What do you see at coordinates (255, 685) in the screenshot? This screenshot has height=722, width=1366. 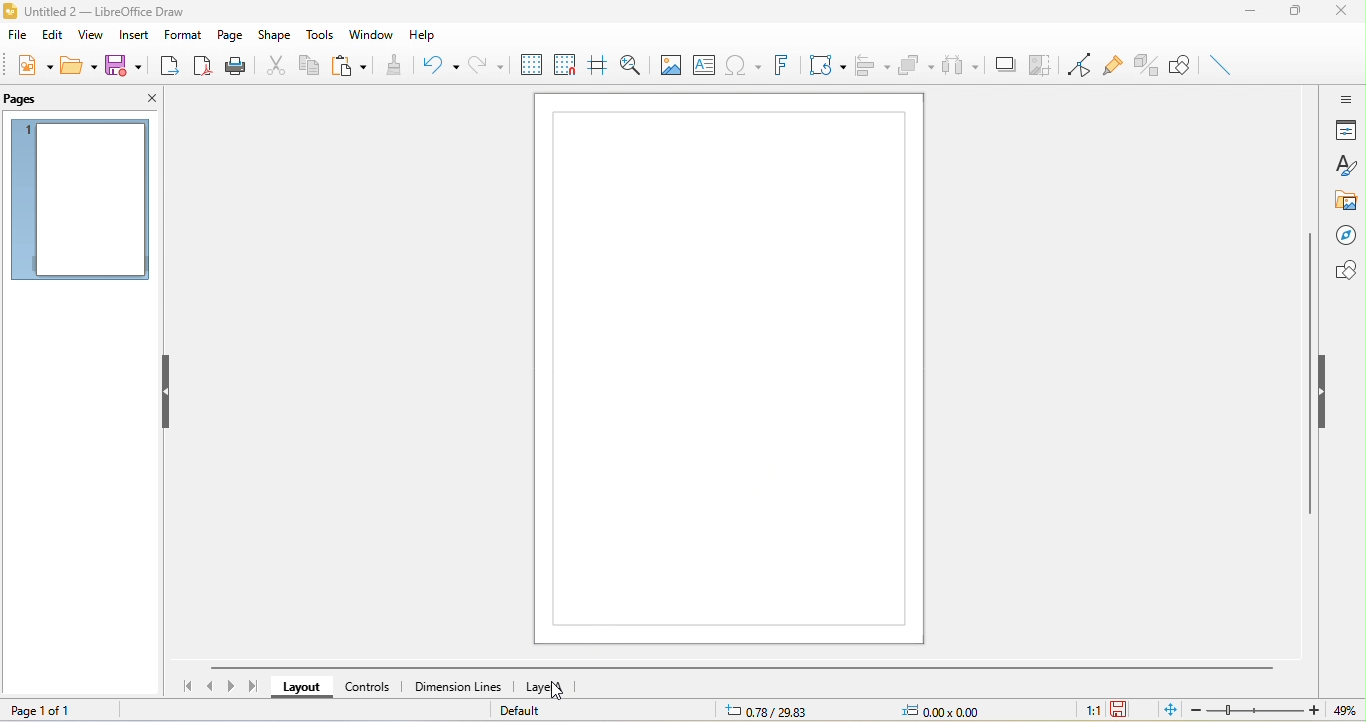 I see `last page` at bounding box center [255, 685].